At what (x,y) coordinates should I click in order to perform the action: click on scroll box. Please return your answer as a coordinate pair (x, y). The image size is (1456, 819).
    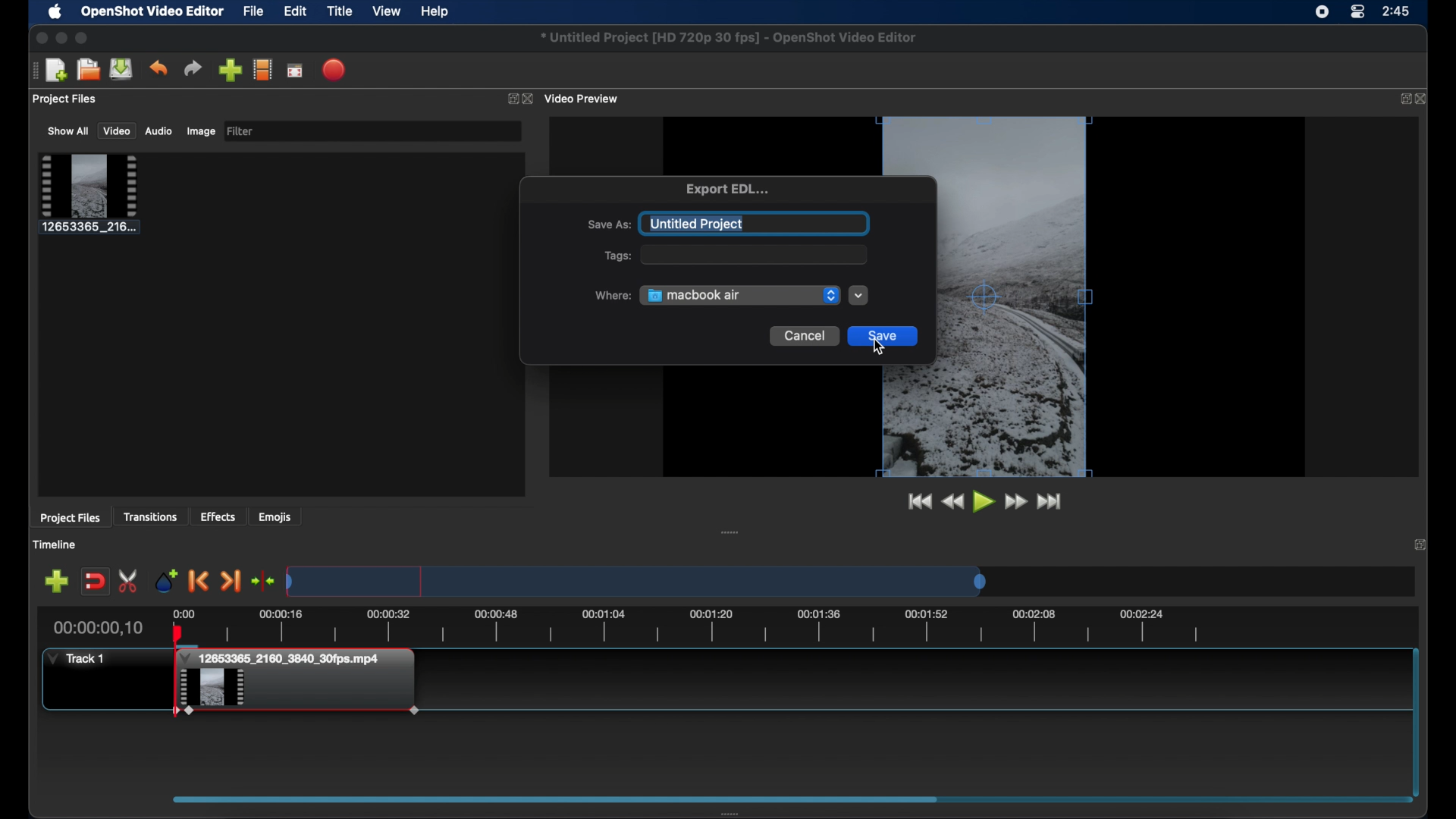
    Looking at the image, I should click on (785, 802).